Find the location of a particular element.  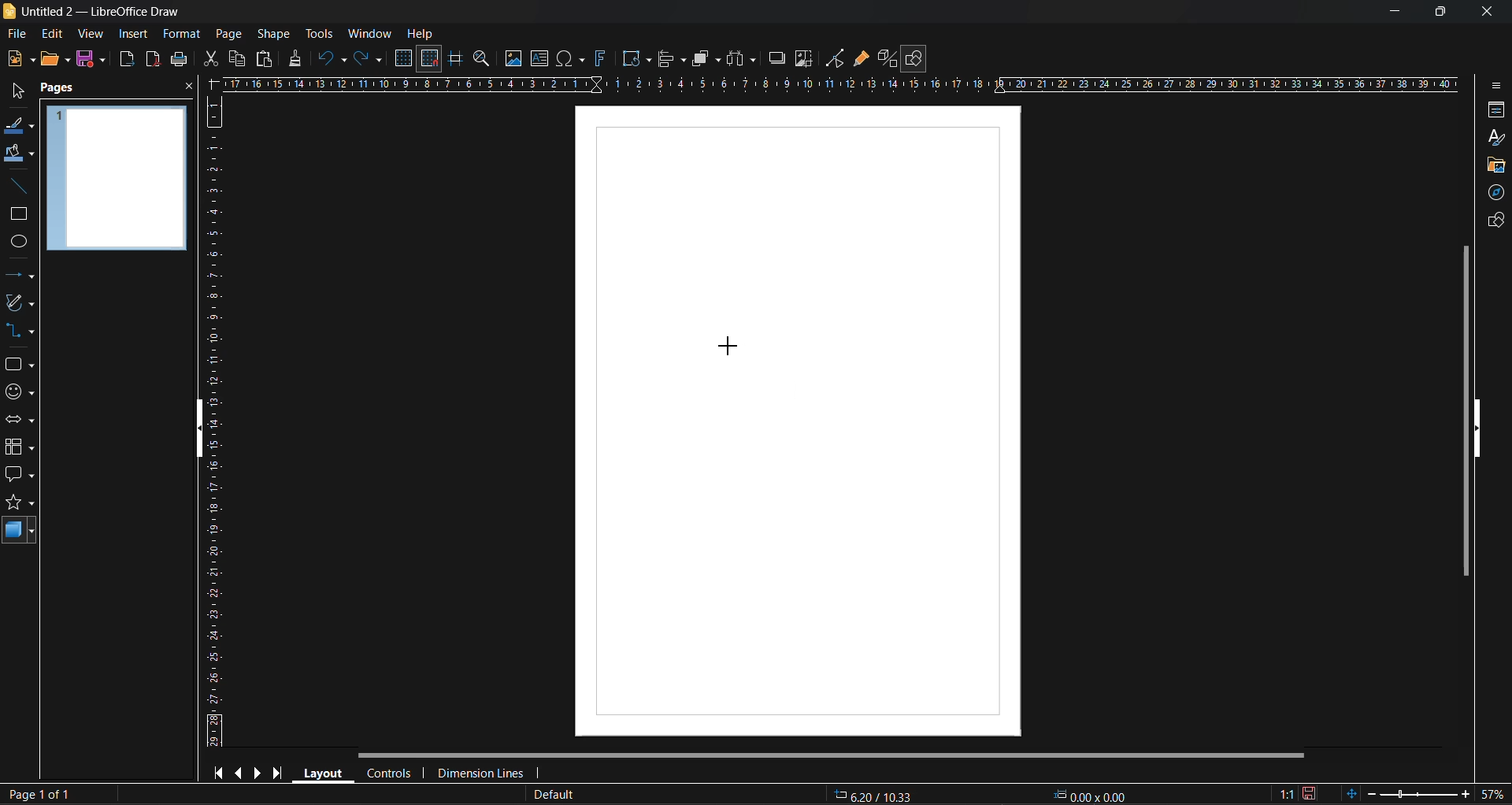

toggle point edit mode is located at coordinates (837, 57).